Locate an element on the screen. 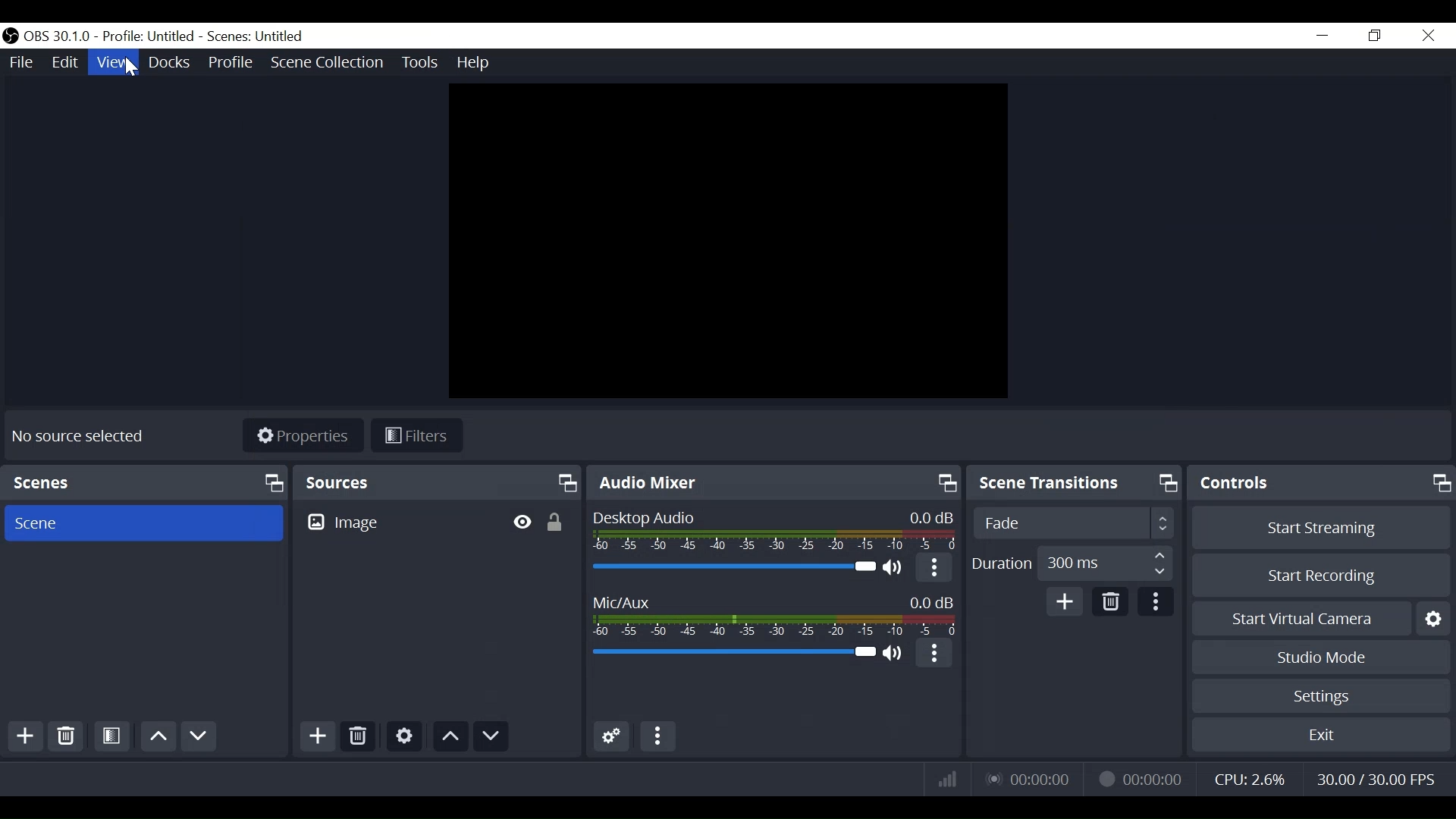 The width and height of the screenshot is (1456, 819). Frame Per Second is located at coordinates (1375, 780).